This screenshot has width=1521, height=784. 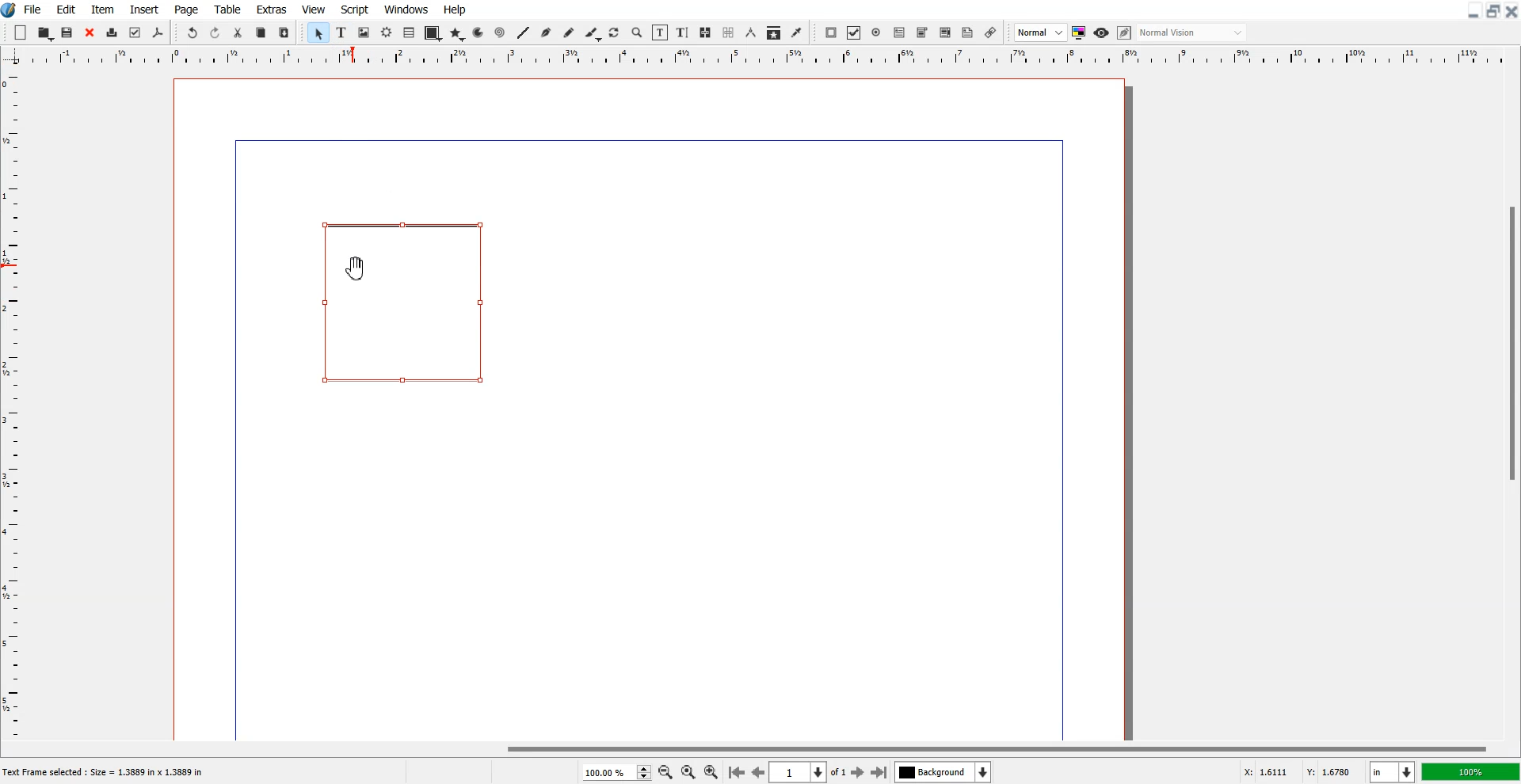 What do you see at coordinates (134, 32) in the screenshot?
I see `Preflight verifier` at bounding box center [134, 32].